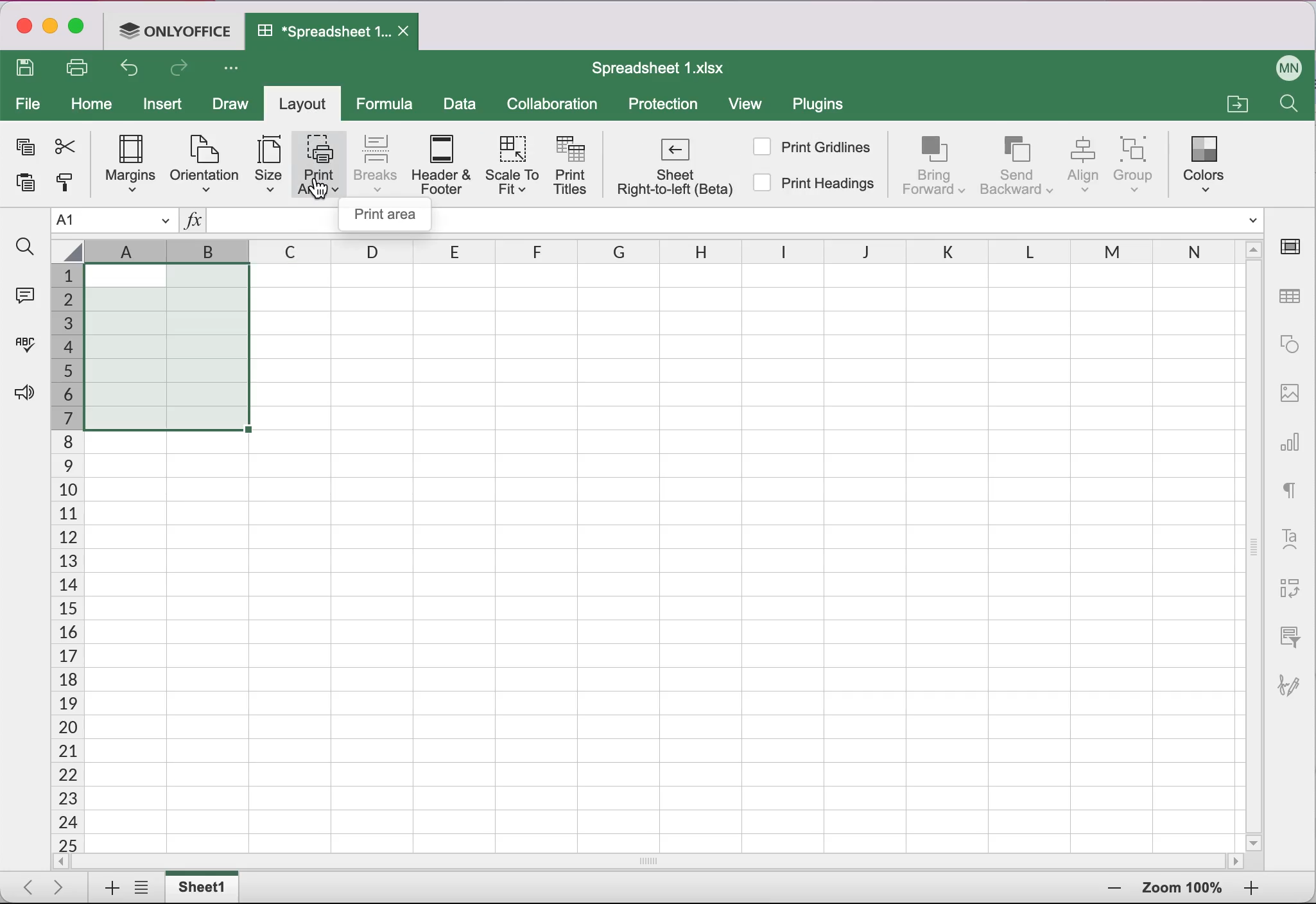  Describe the element at coordinates (124, 166) in the screenshot. I see `Margins` at that location.